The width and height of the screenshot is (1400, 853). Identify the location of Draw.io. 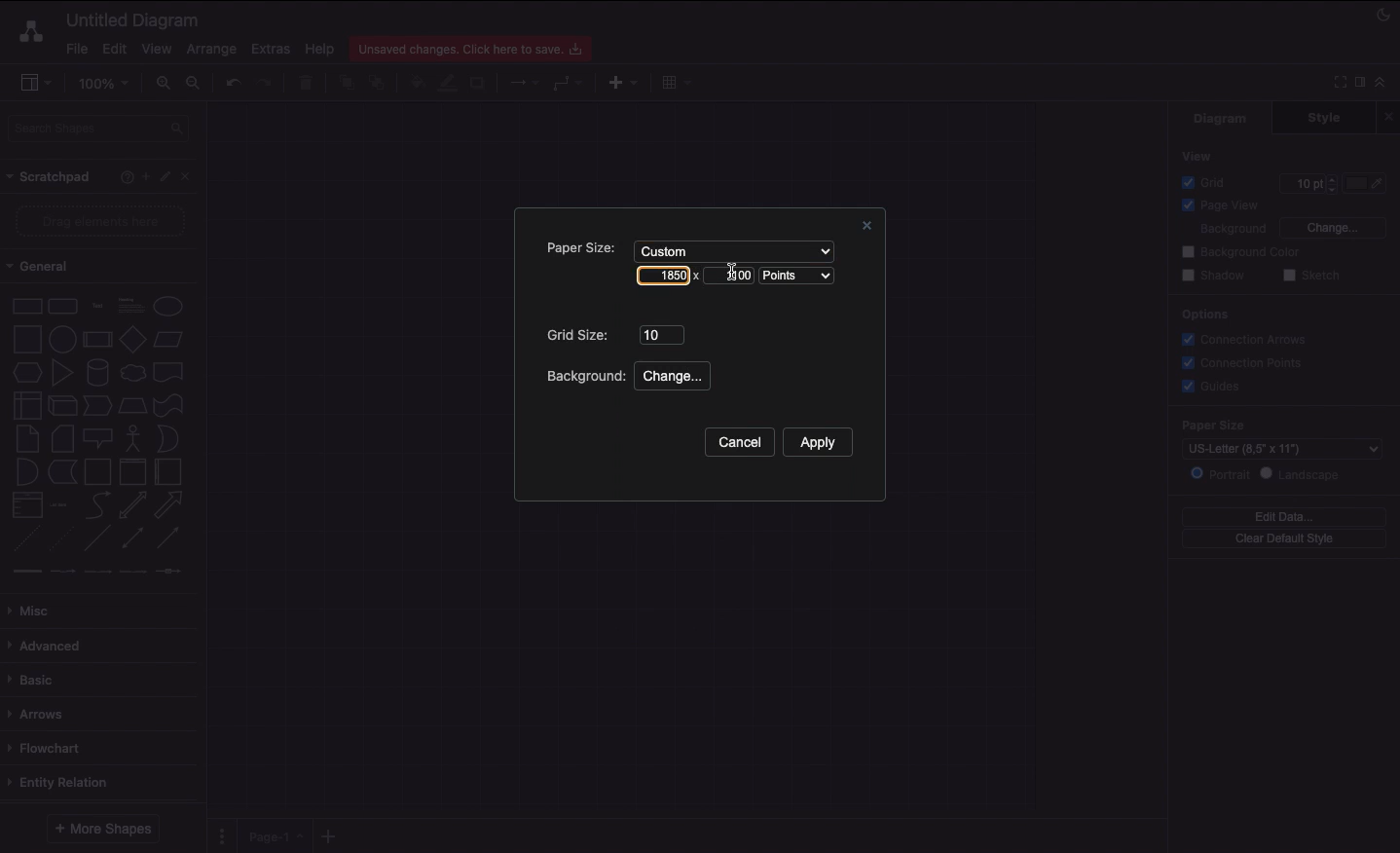
(27, 31).